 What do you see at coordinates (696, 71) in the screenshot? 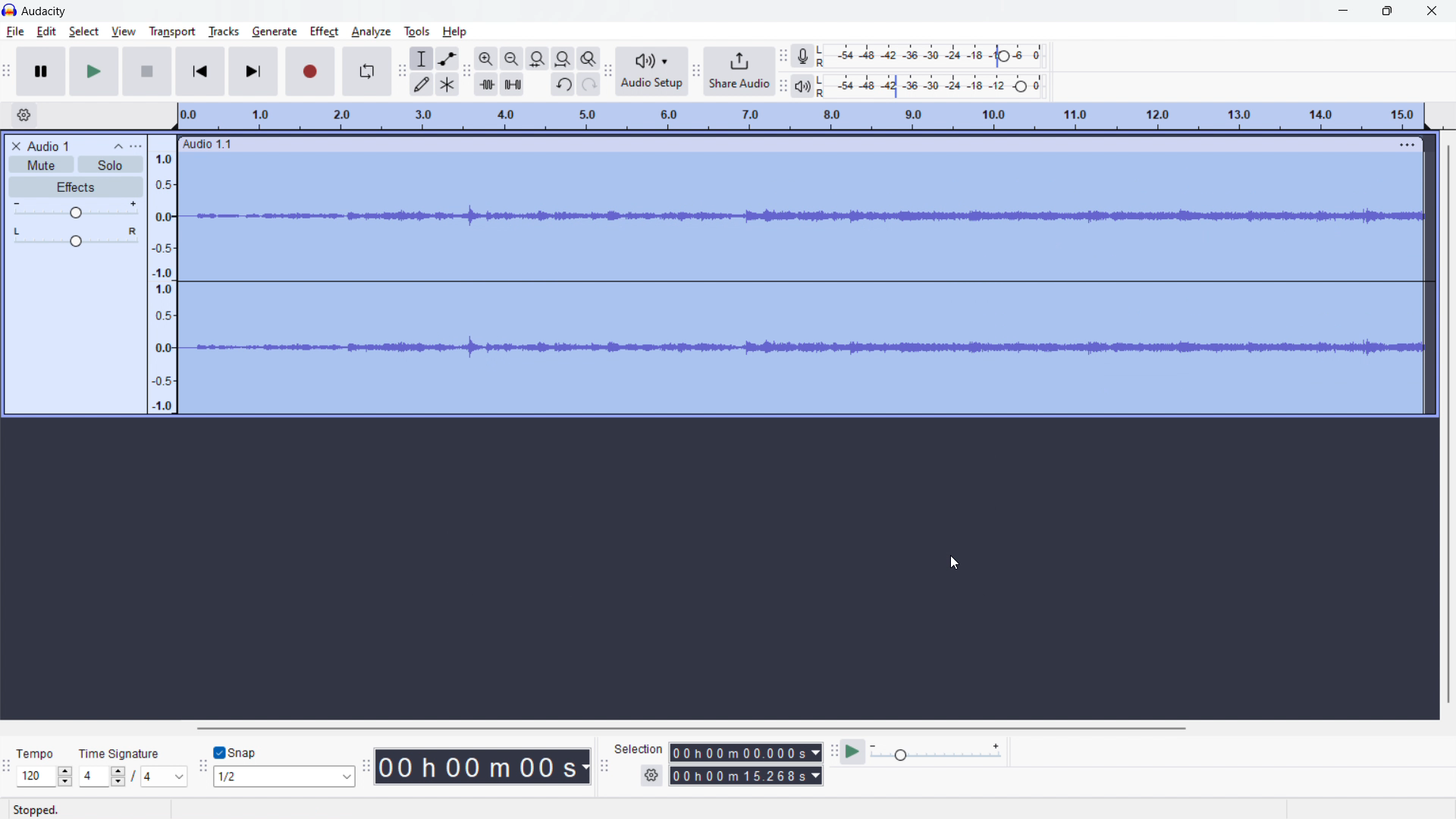
I see `share audio toolbar` at bounding box center [696, 71].